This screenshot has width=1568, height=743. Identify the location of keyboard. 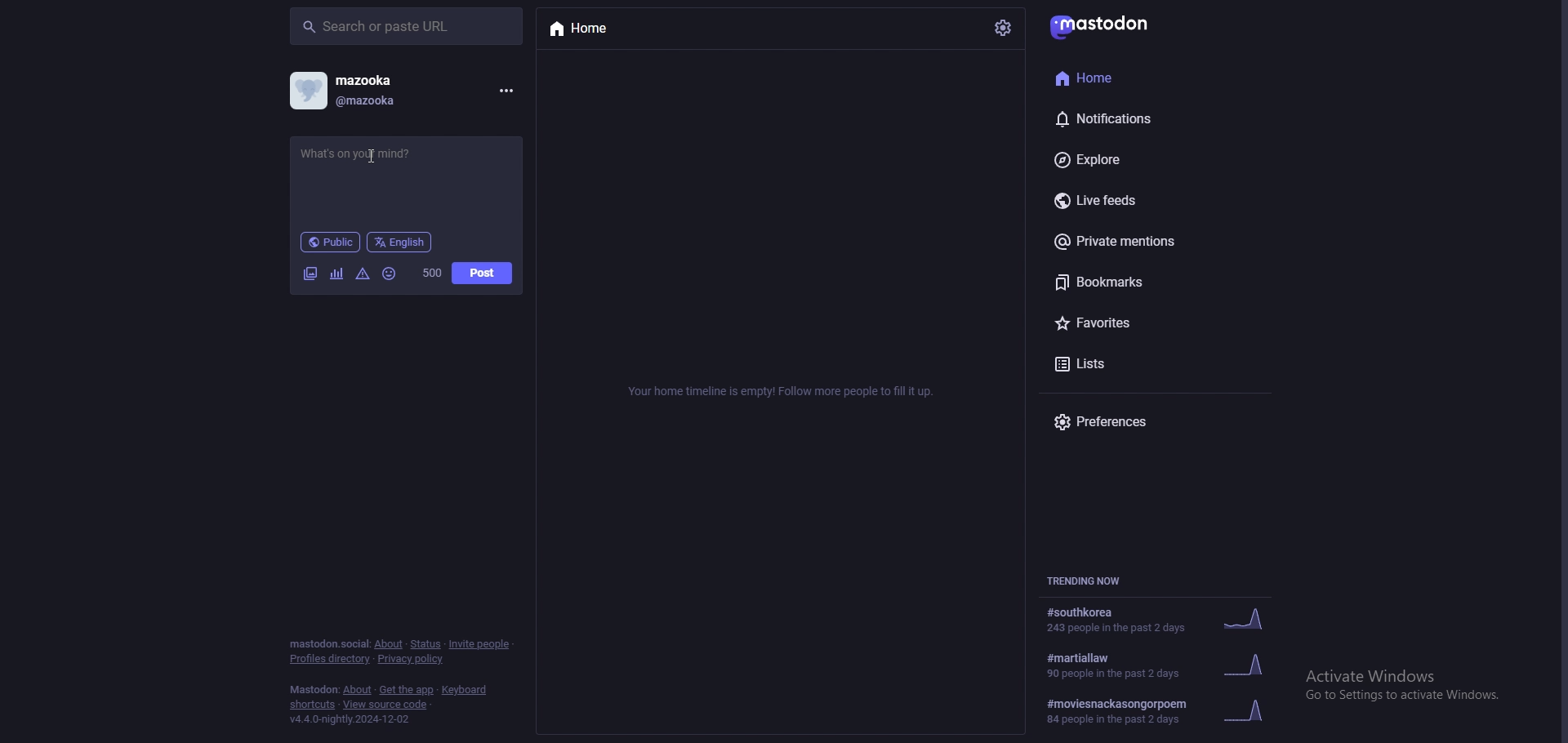
(463, 690).